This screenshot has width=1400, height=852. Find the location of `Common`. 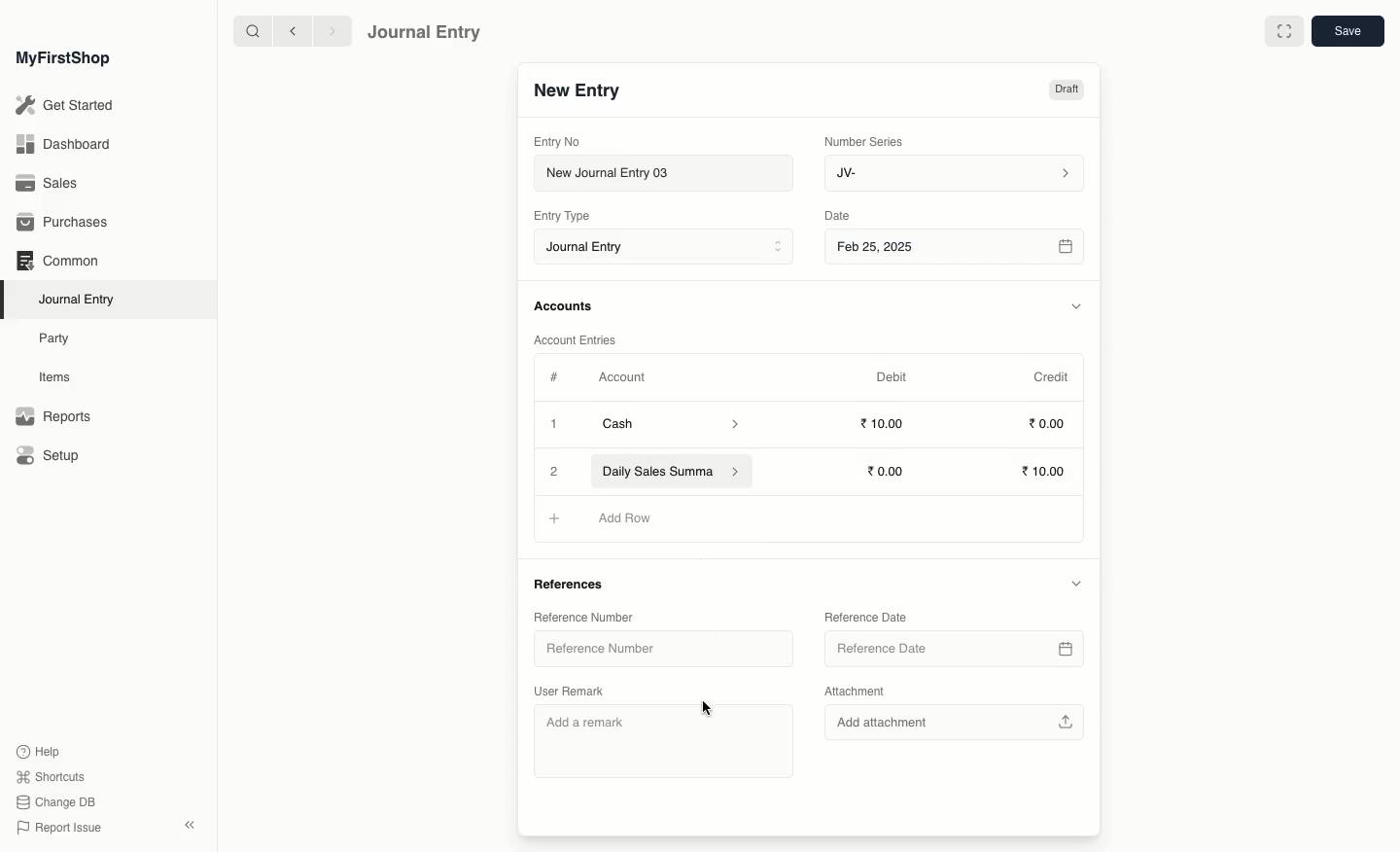

Common is located at coordinates (56, 261).